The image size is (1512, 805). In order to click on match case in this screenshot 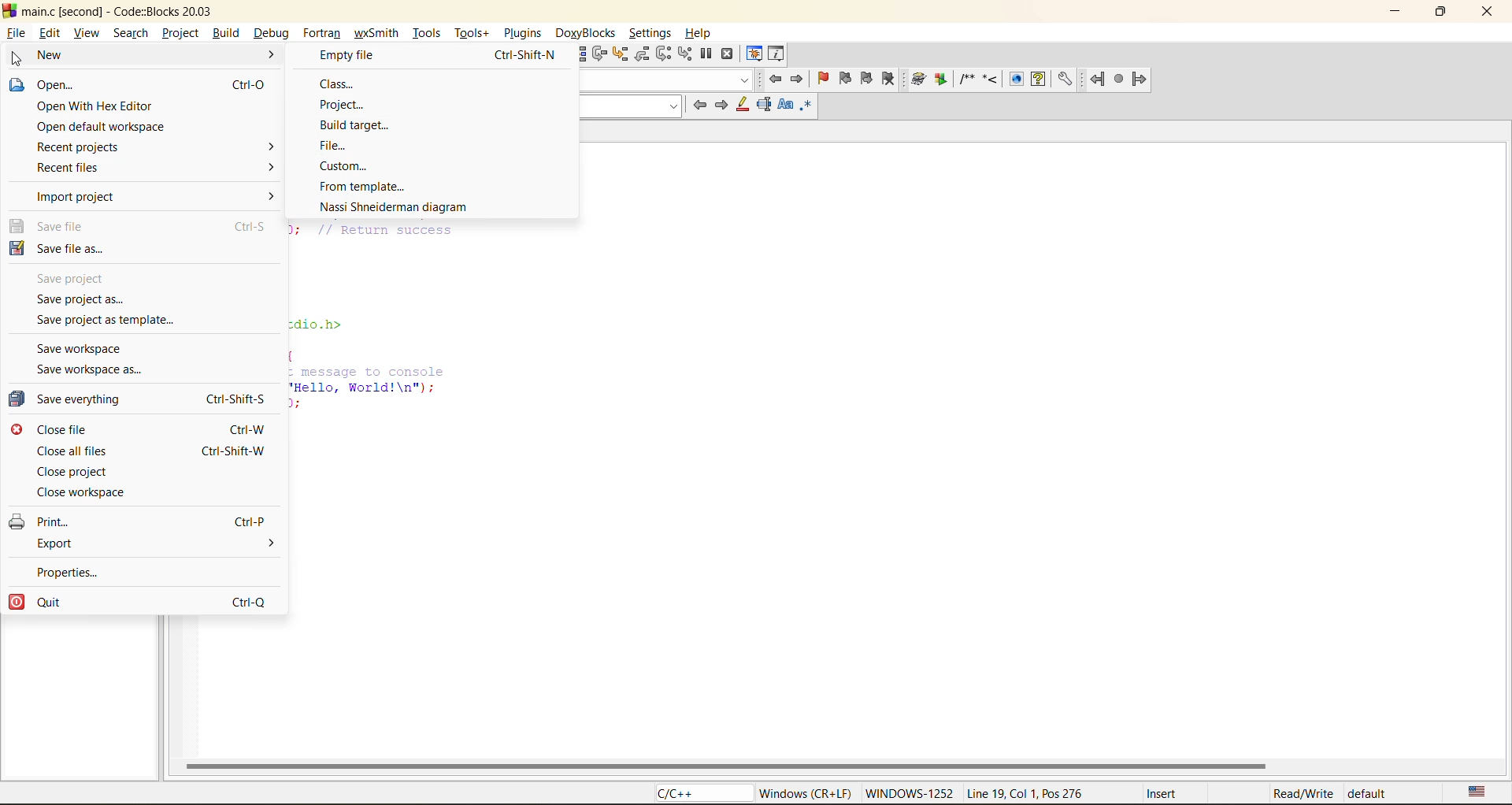, I will do `click(787, 108)`.